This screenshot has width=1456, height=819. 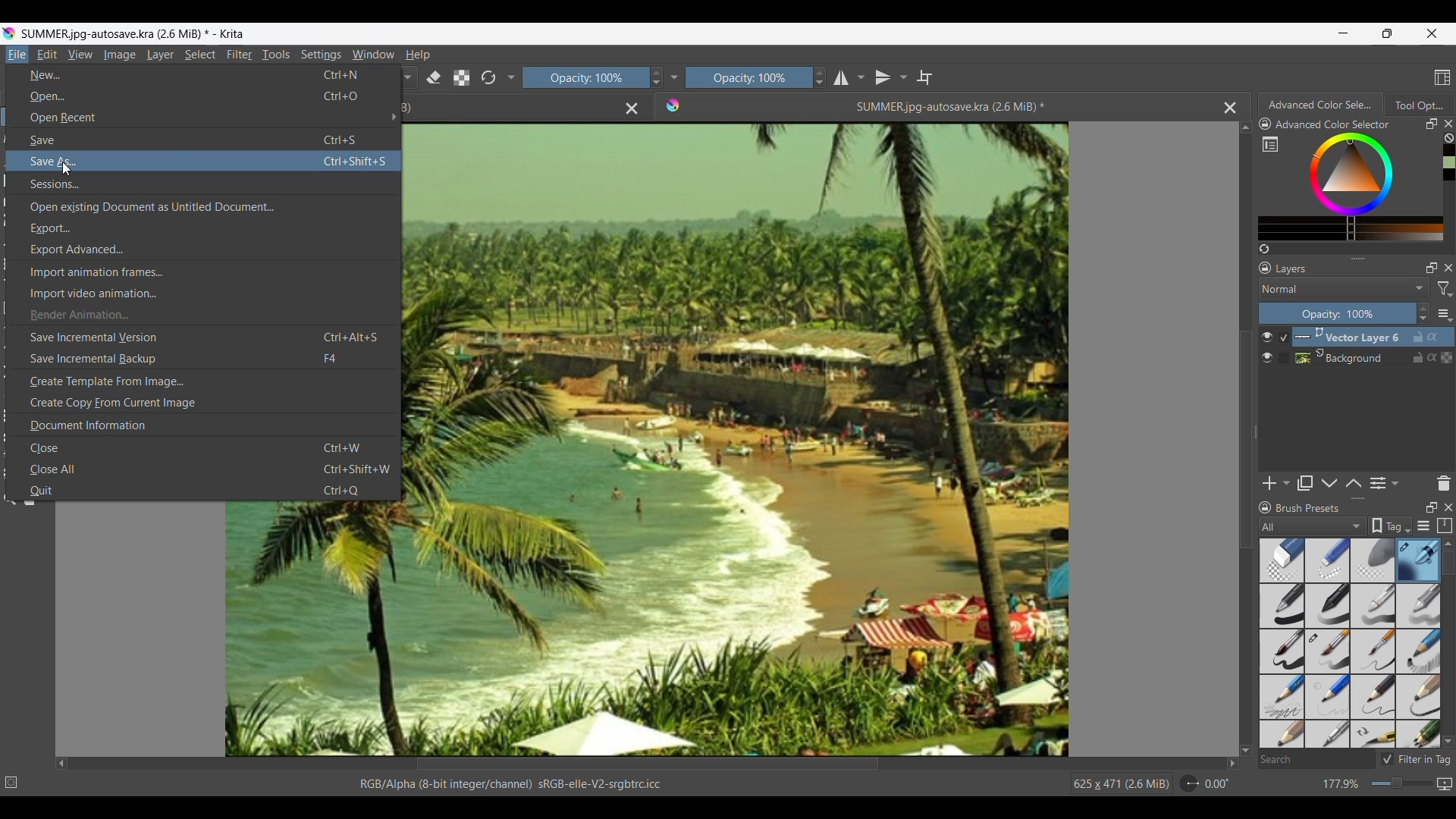 What do you see at coordinates (1373, 357) in the screenshot?
I see `Background layer` at bounding box center [1373, 357].